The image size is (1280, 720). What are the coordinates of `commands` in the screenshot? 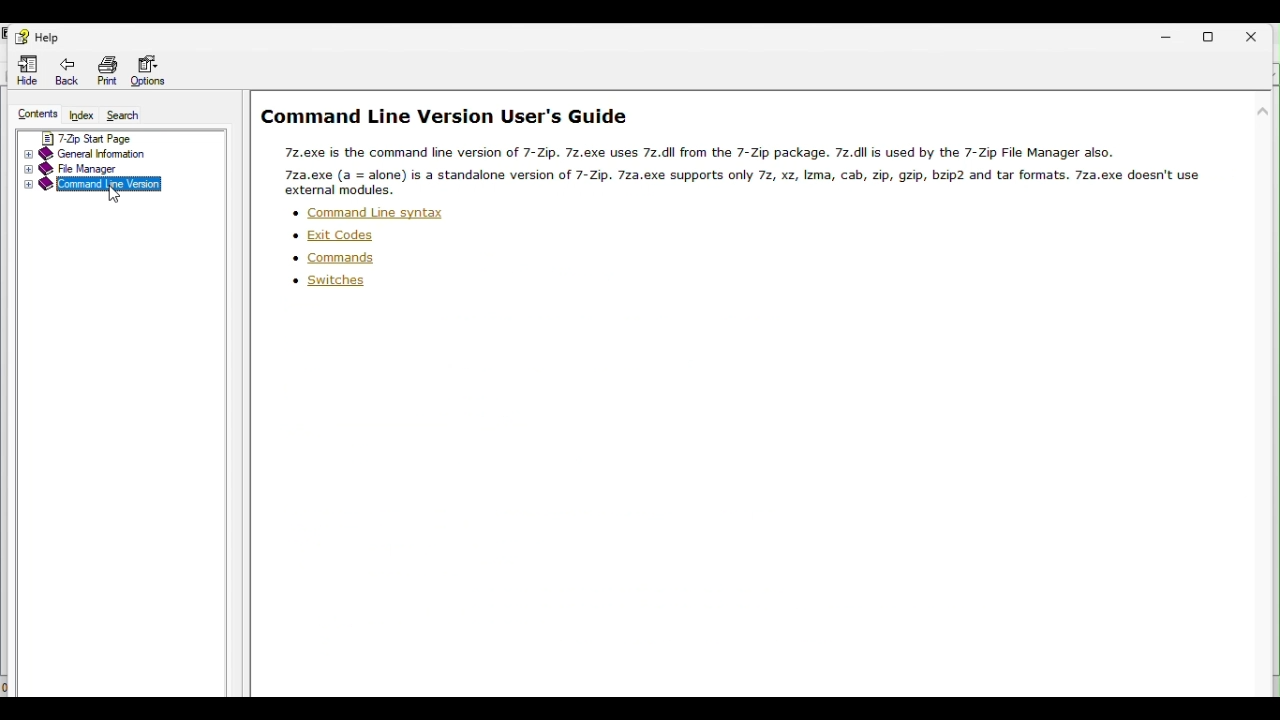 It's located at (335, 259).